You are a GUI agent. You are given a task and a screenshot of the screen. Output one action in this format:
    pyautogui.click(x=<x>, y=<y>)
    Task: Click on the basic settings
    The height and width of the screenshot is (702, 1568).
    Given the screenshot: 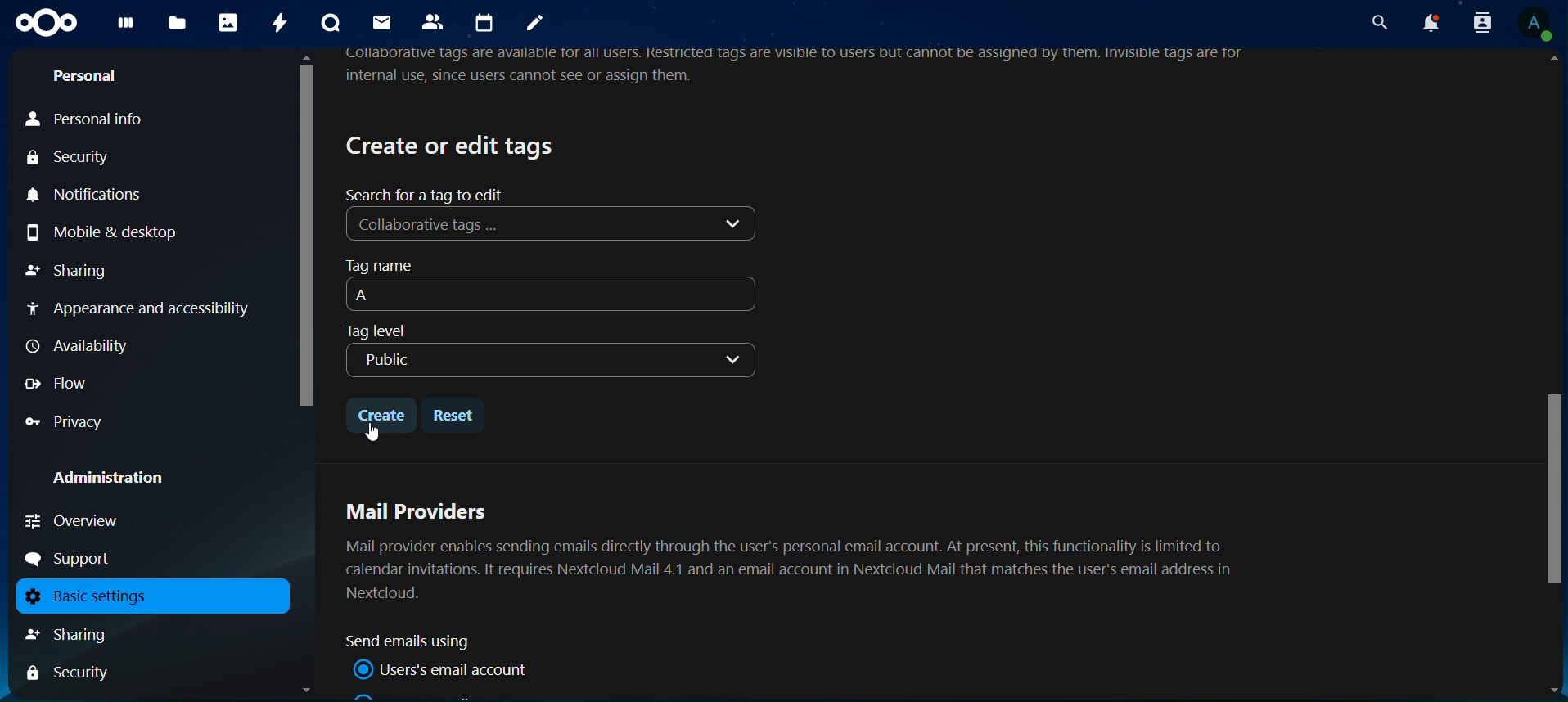 What is the action you would take?
    pyautogui.click(x=146, y=596)
    